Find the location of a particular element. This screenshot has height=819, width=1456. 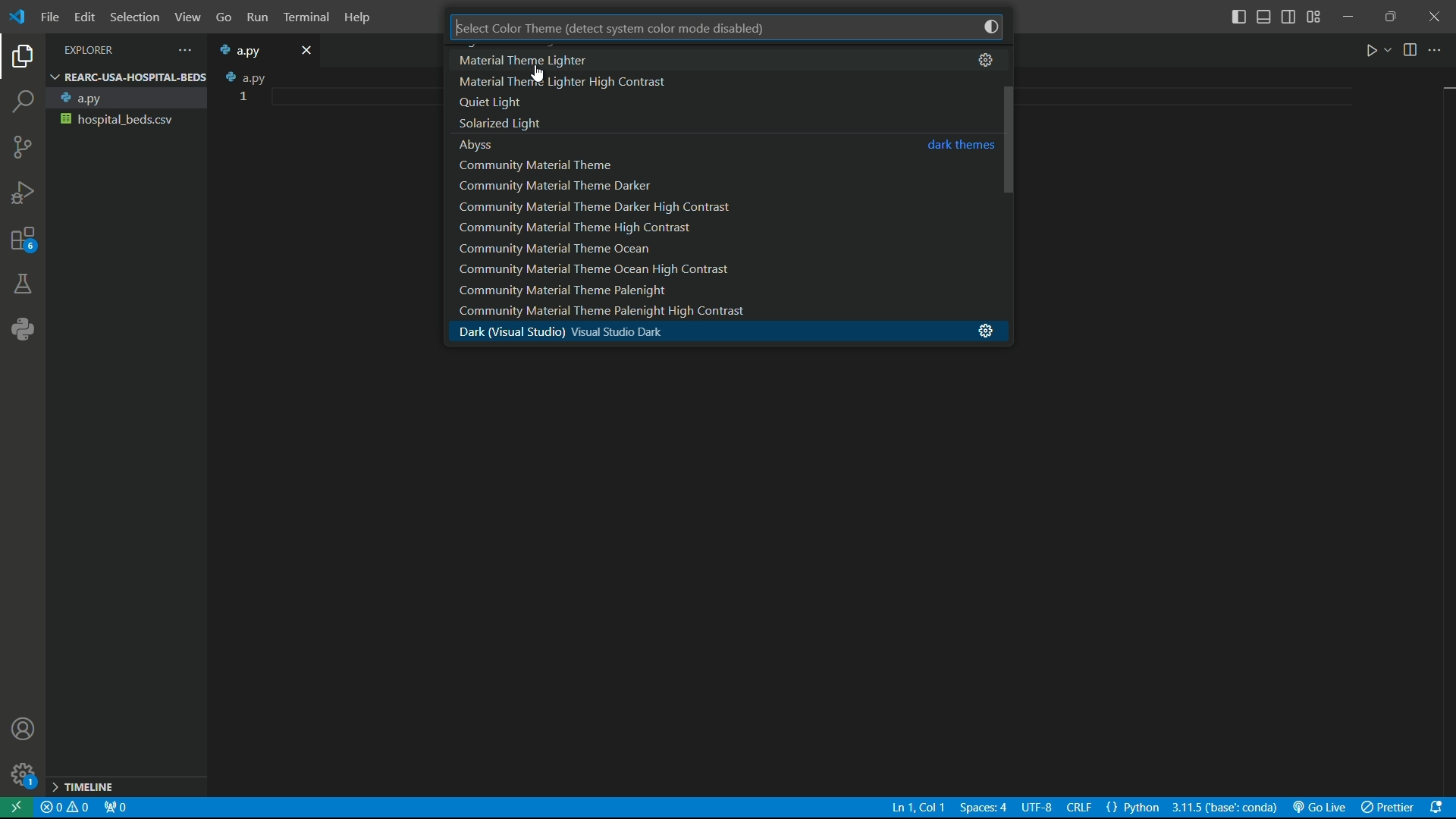

close app is located at coordinates (1435, 17).